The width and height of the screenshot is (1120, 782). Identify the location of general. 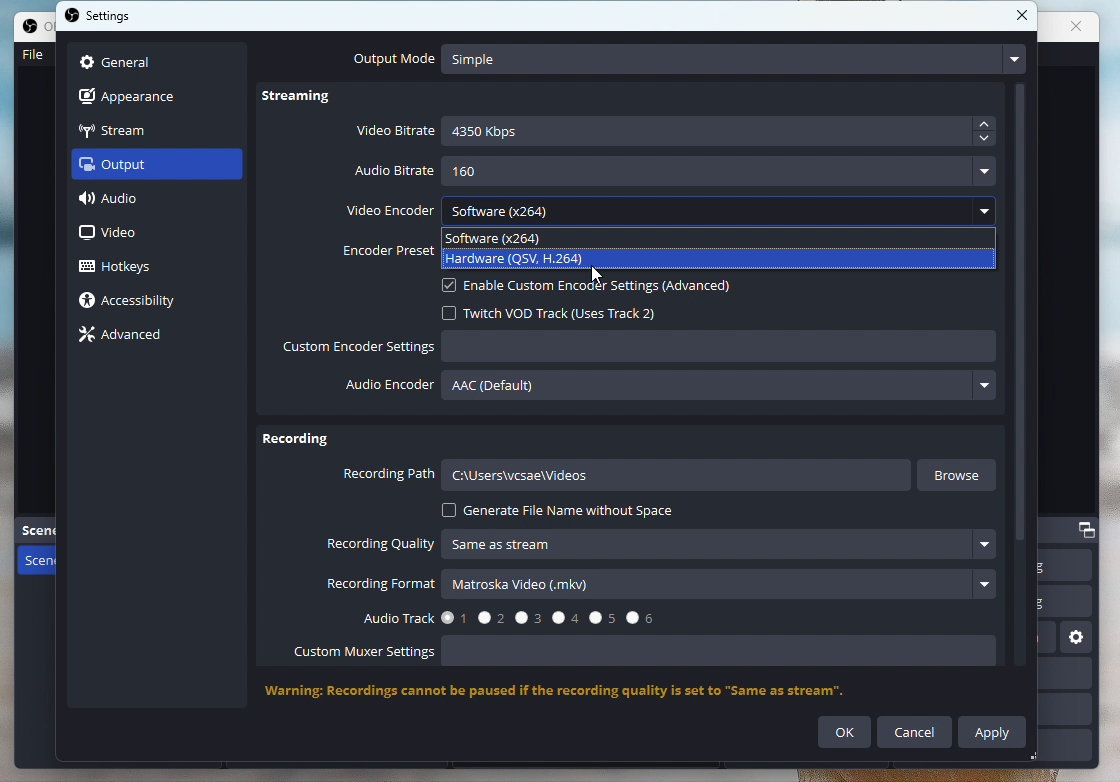
(118, 60).